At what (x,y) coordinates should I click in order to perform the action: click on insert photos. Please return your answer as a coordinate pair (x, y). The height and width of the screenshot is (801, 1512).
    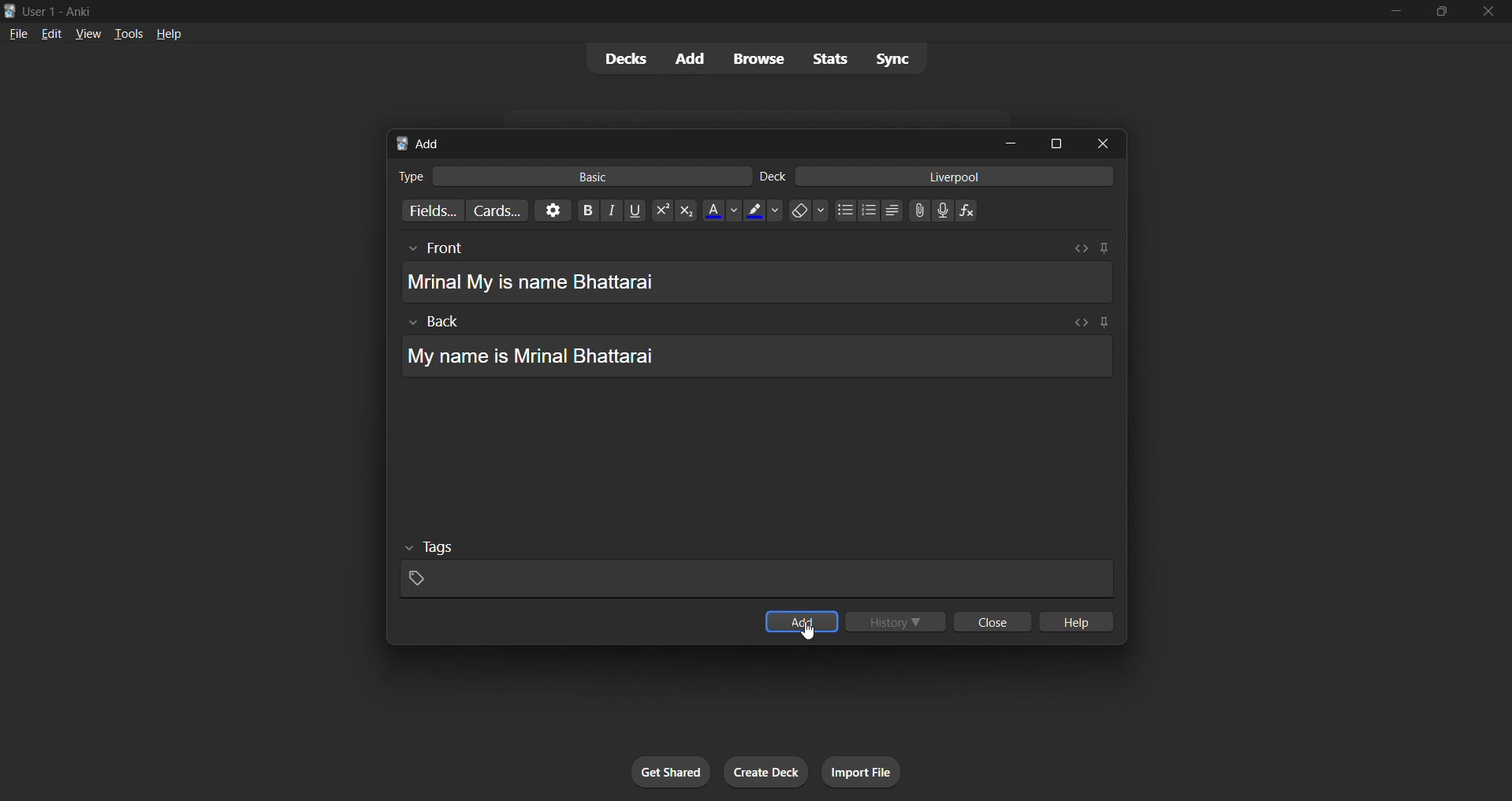
    Looking at the image, I should click on (916, 210).